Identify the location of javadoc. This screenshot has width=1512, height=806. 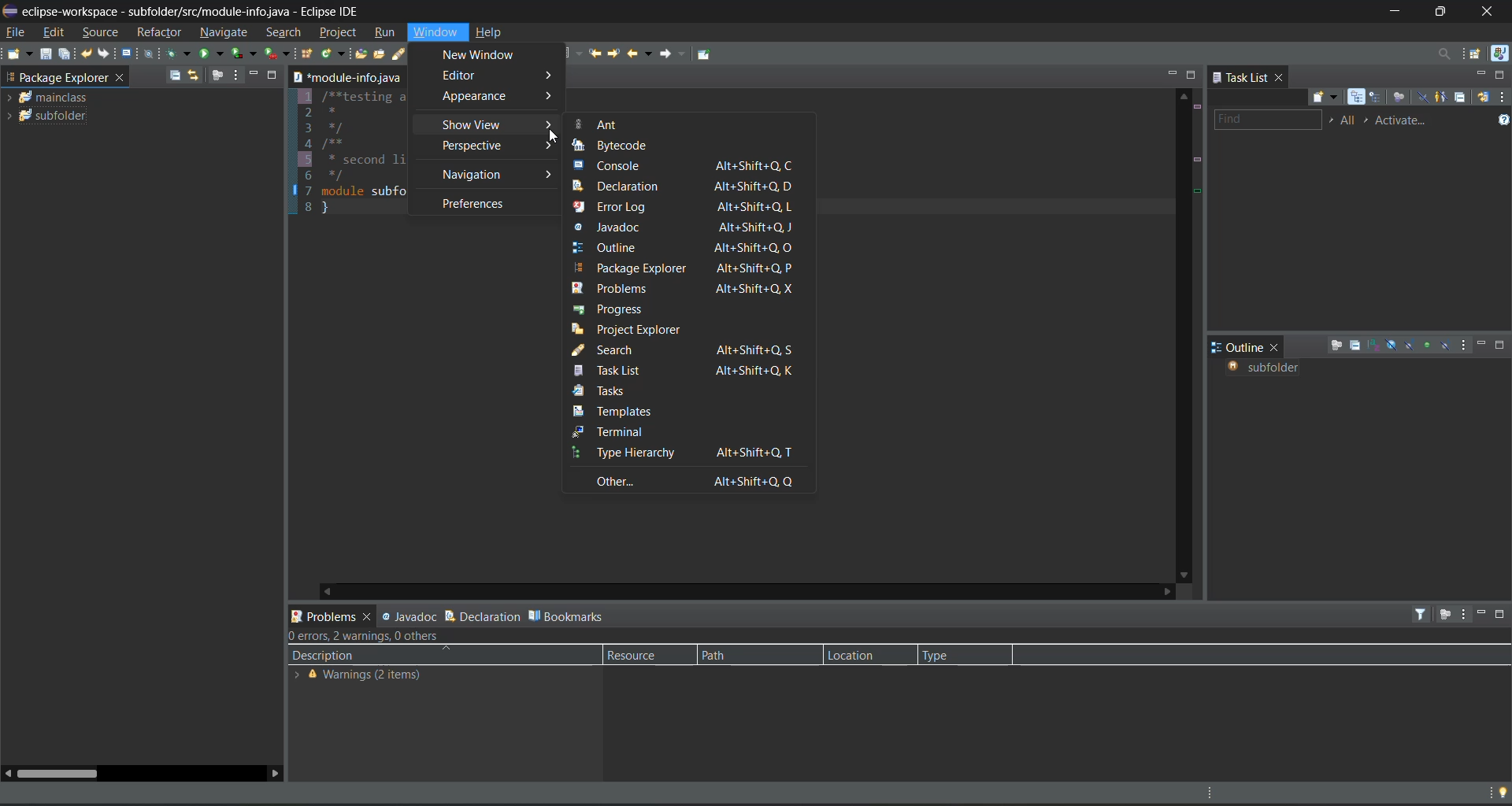
(691, 227).